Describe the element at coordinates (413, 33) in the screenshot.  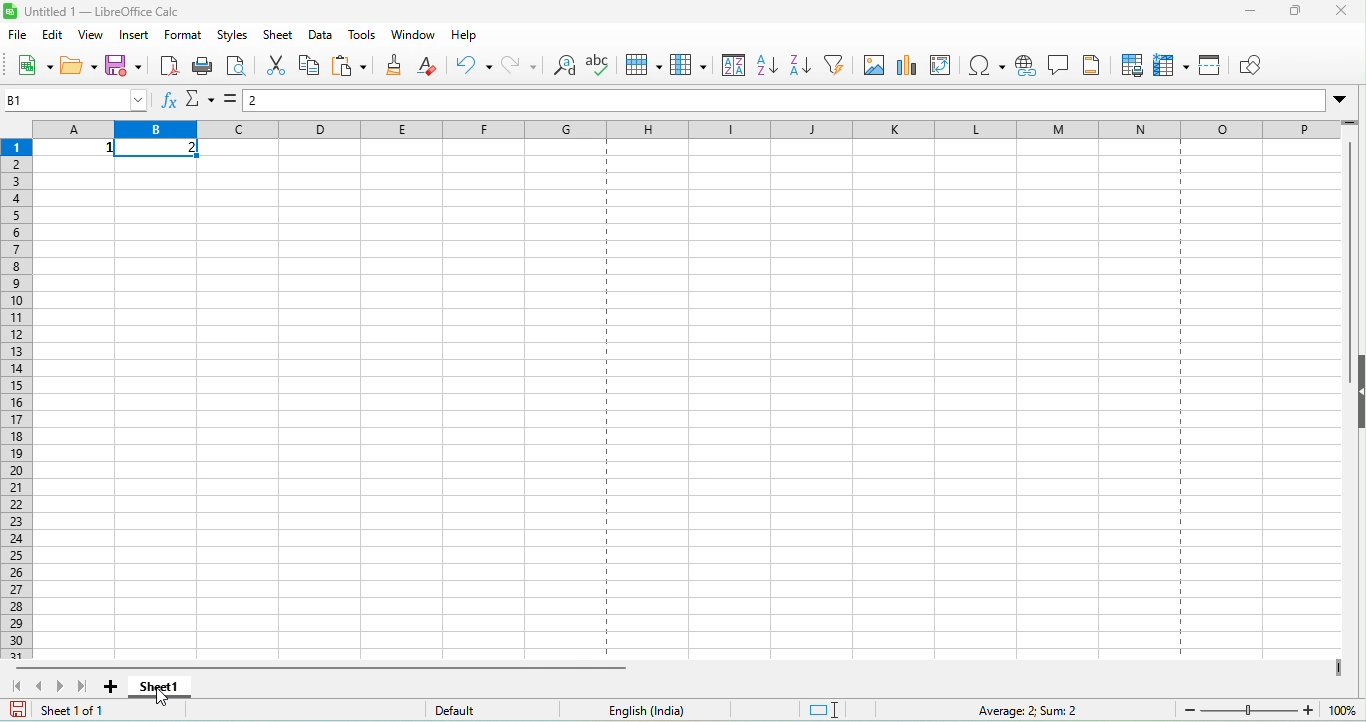
I see `window` at that location.